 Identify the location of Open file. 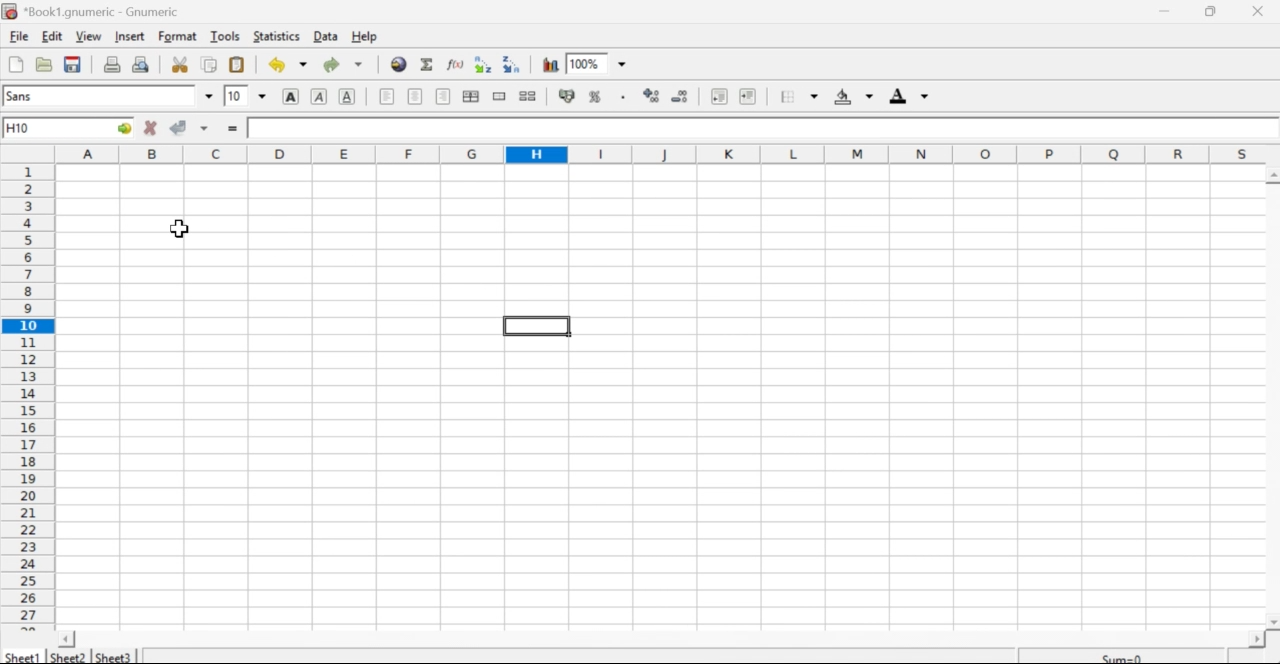
(45, 67).